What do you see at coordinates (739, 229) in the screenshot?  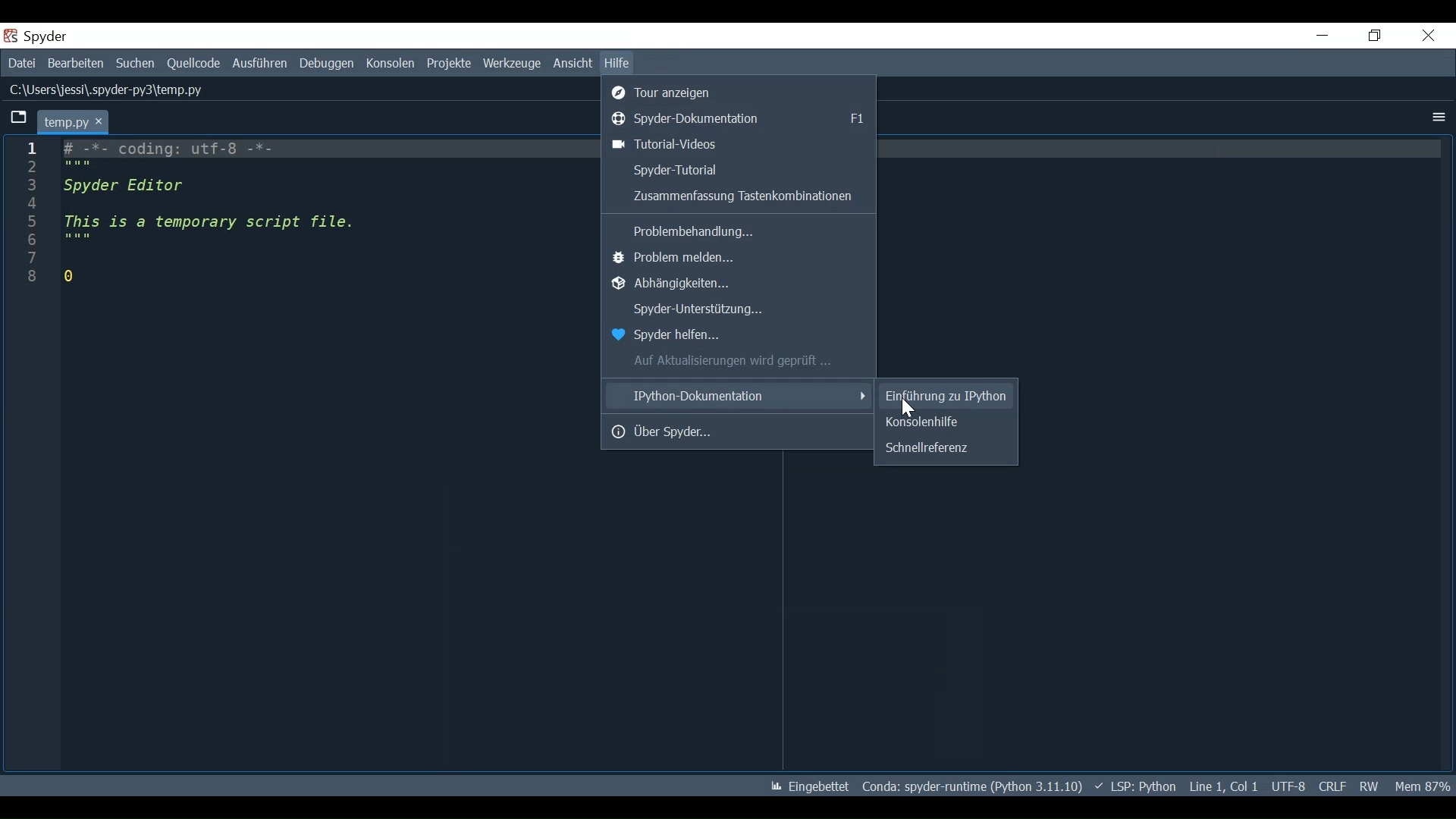 I see `Troubleshooting` at bounding box center [739, 229].